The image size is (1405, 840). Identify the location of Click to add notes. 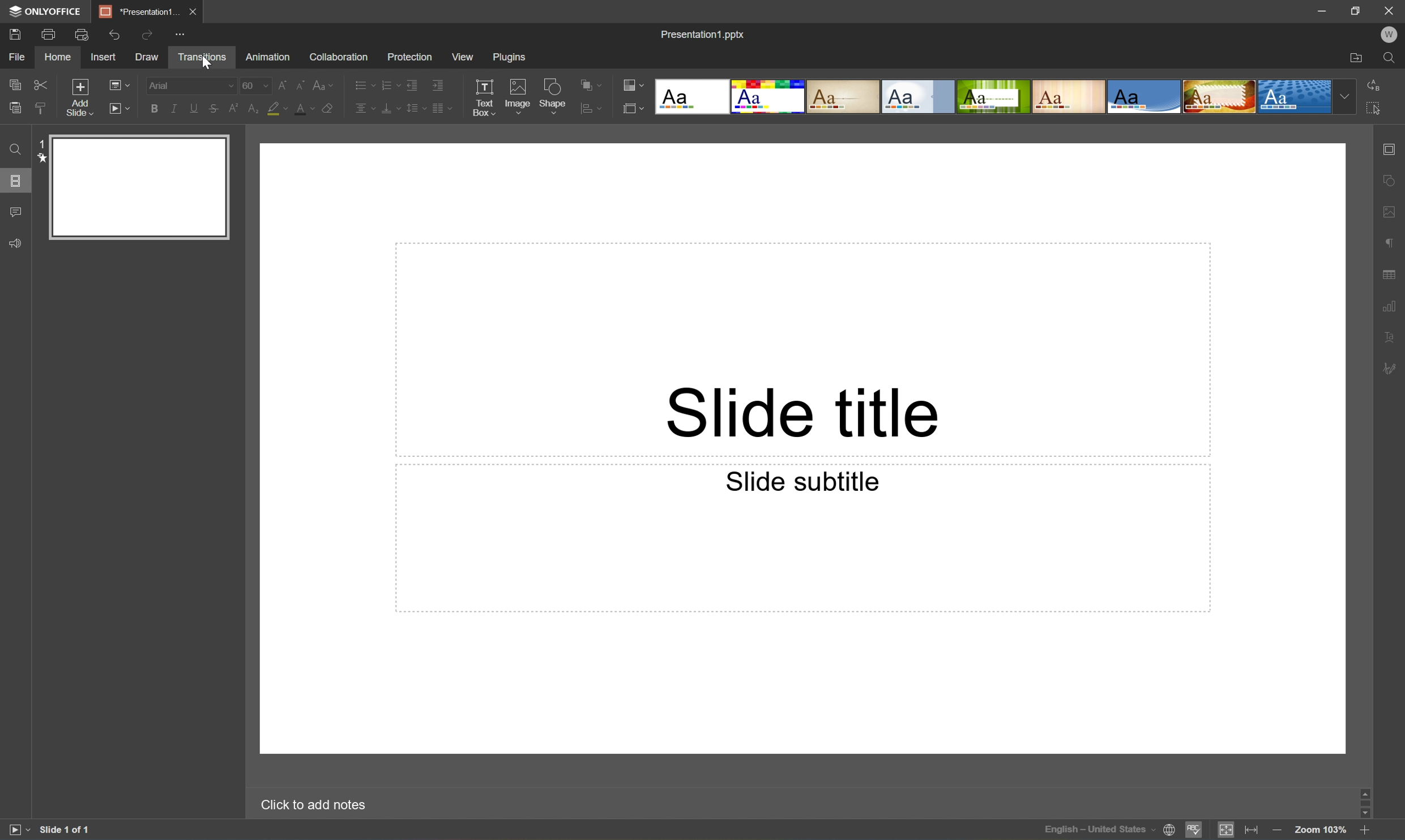
(315, 804).